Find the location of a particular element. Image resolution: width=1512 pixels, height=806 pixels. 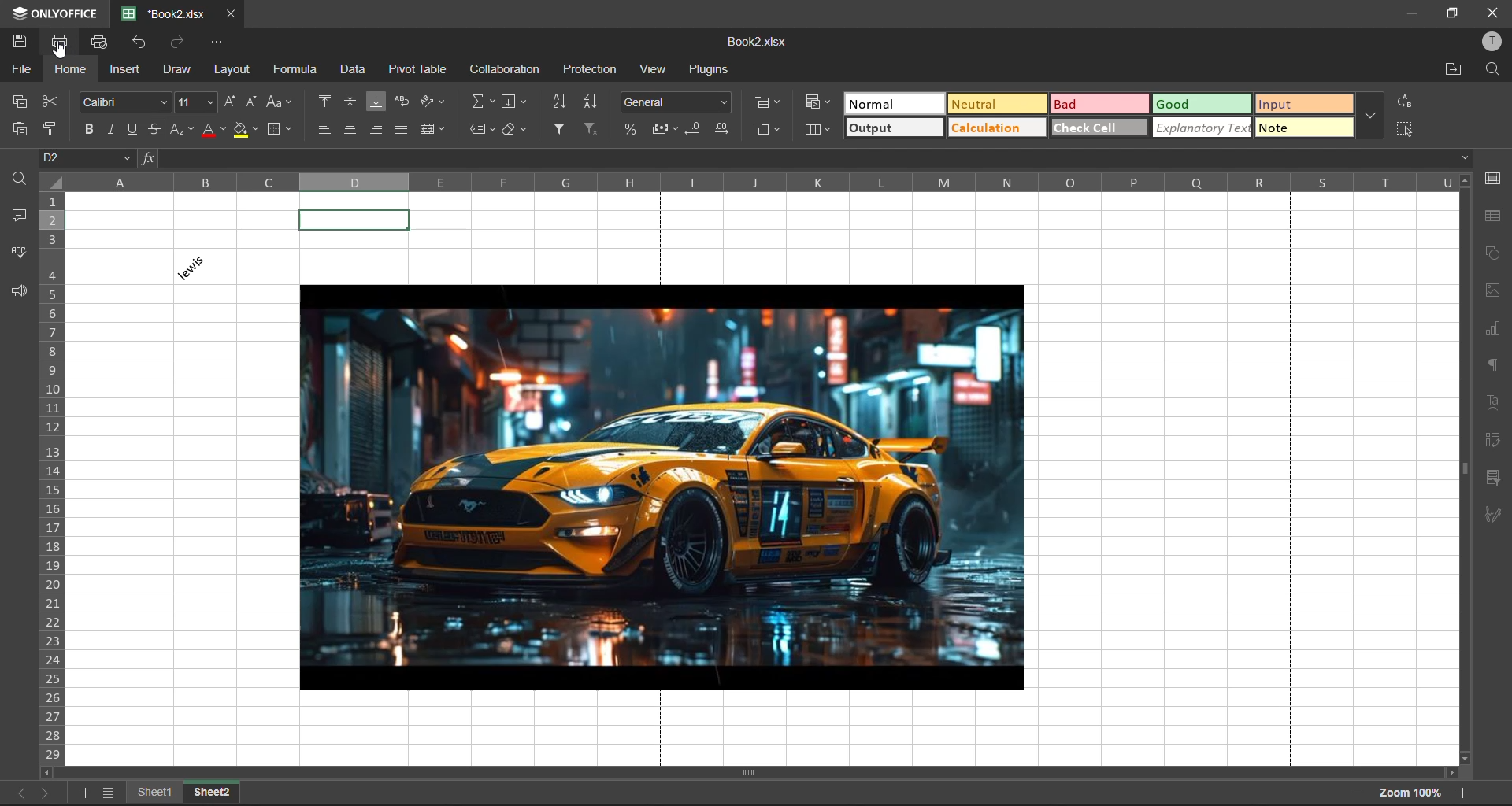

font style is located at coordinates (127, 102).